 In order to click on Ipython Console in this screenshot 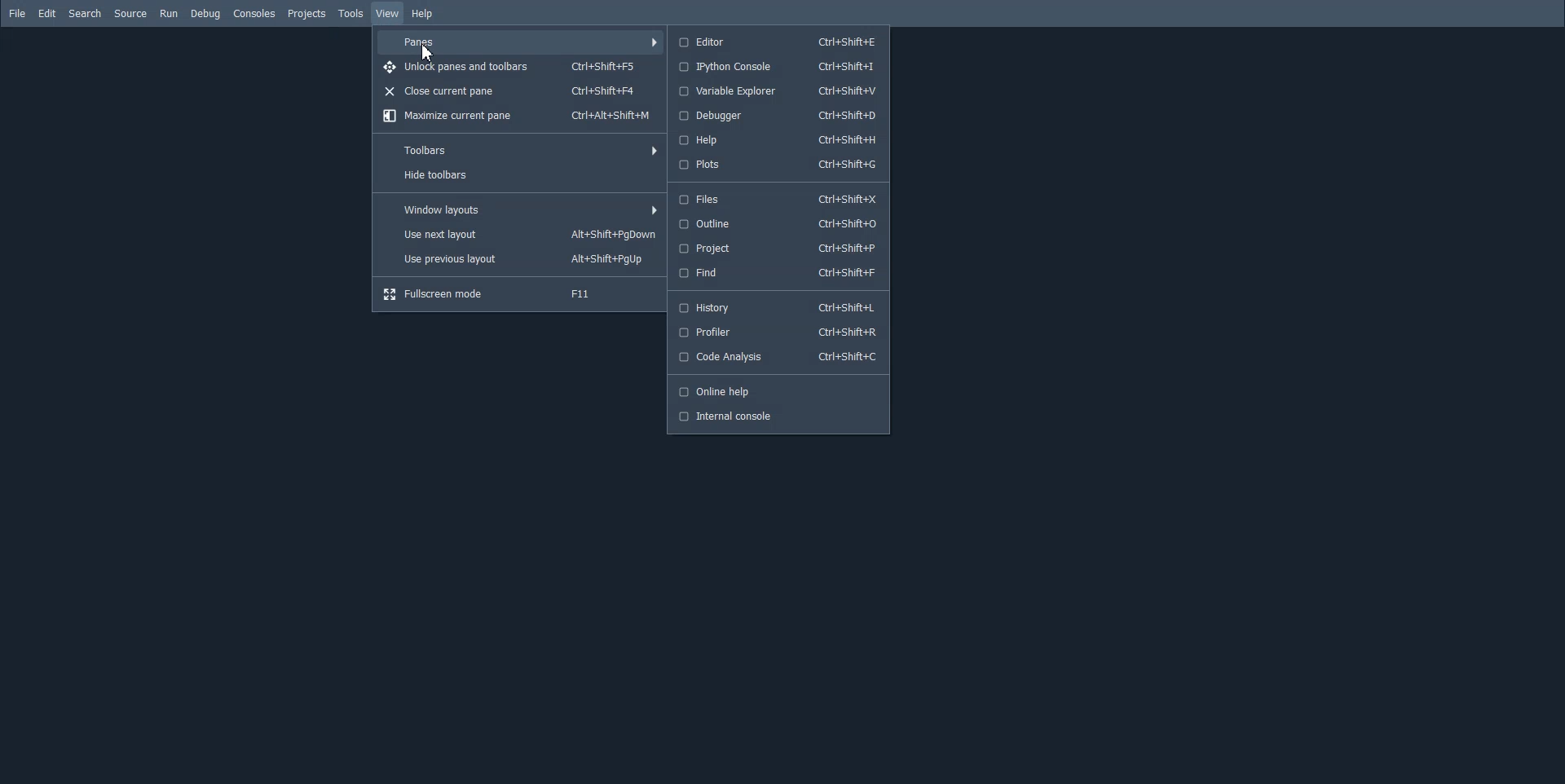, I will do `click(776, 67)`.